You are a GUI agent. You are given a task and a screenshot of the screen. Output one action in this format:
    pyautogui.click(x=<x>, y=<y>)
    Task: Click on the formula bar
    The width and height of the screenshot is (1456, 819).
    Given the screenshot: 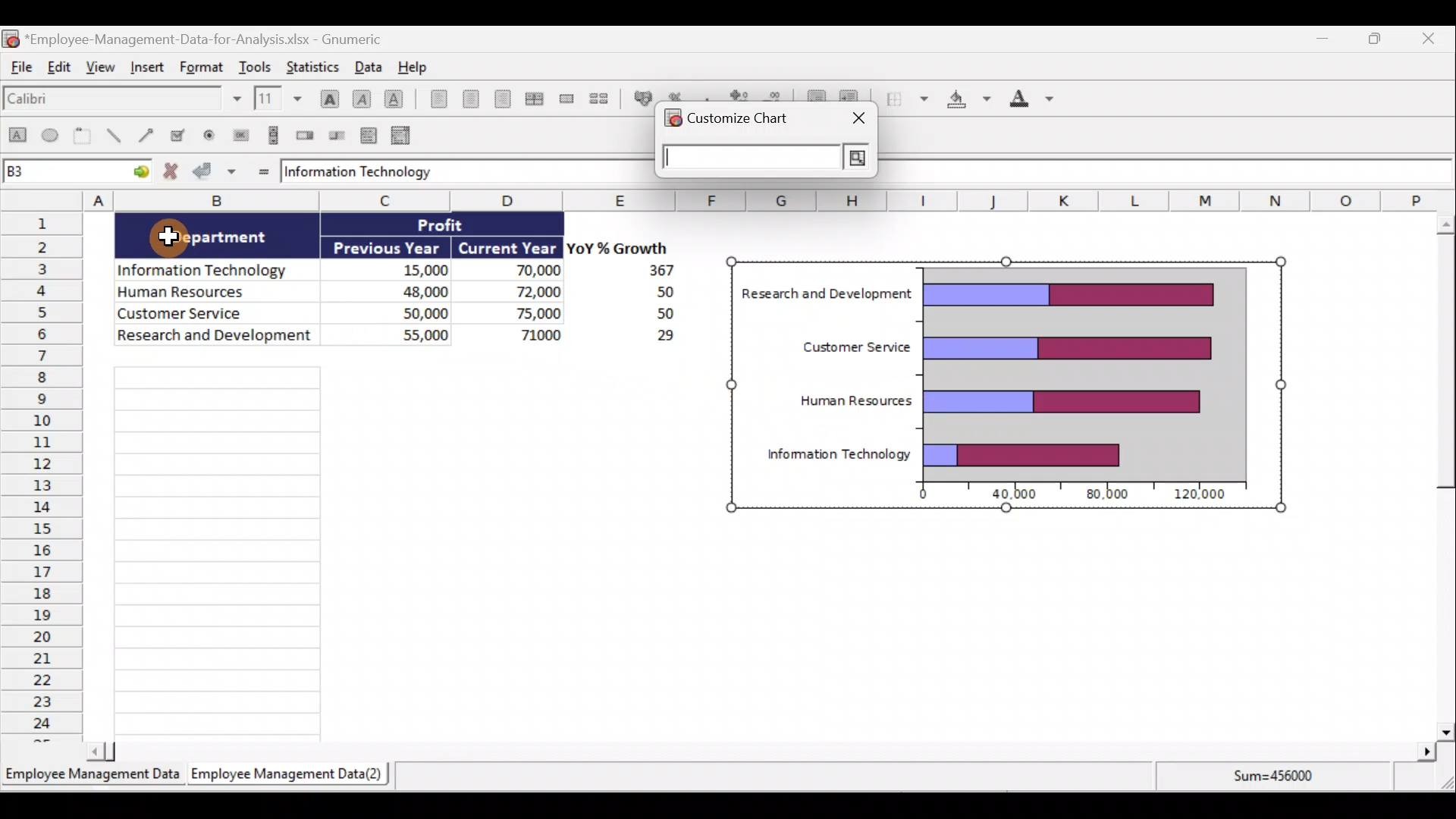 What is the action you would take?
    pyautogui.click(x=454, y=173)
    